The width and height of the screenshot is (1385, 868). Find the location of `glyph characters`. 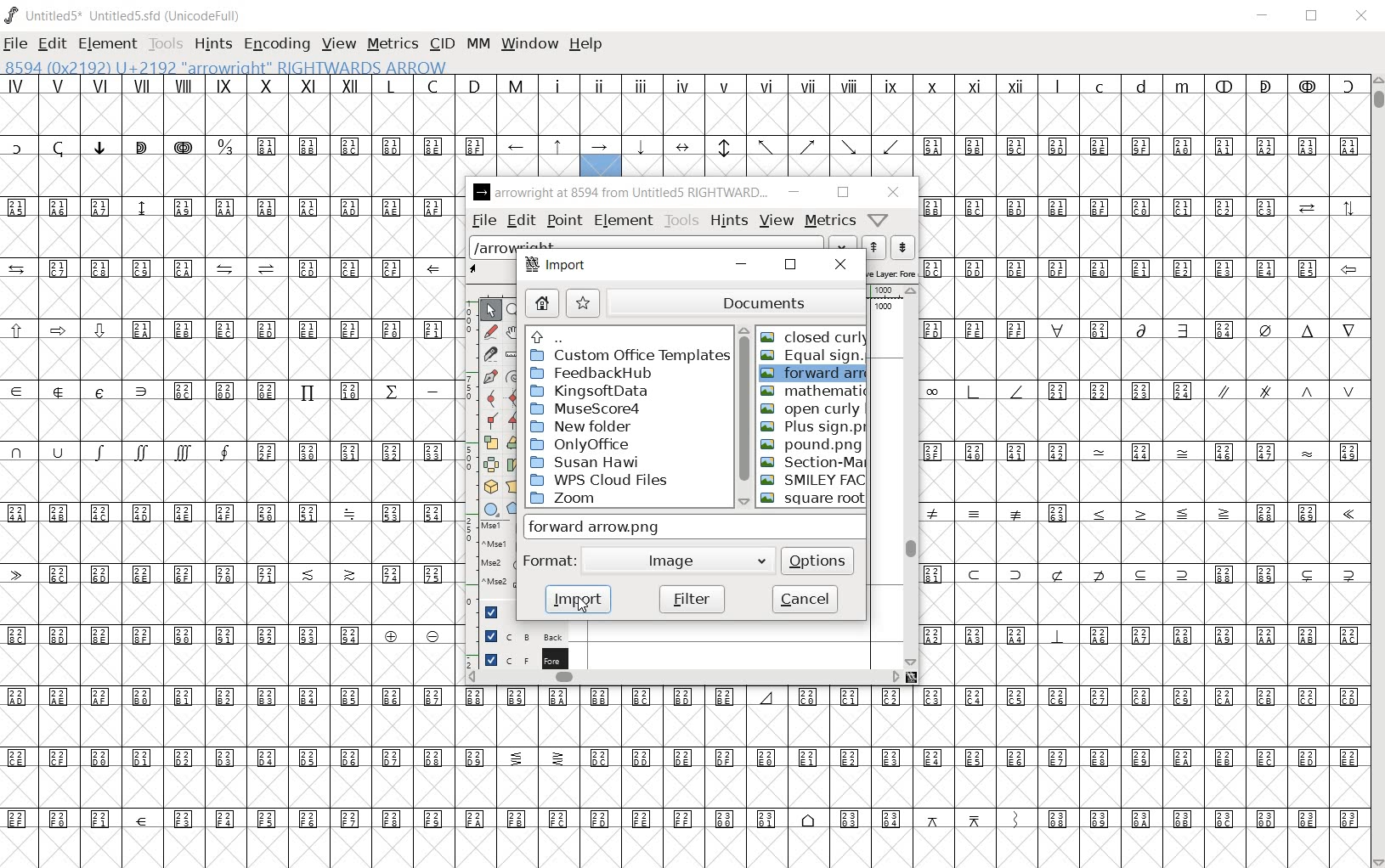

glyph characters is located at coordinates (227, 473).